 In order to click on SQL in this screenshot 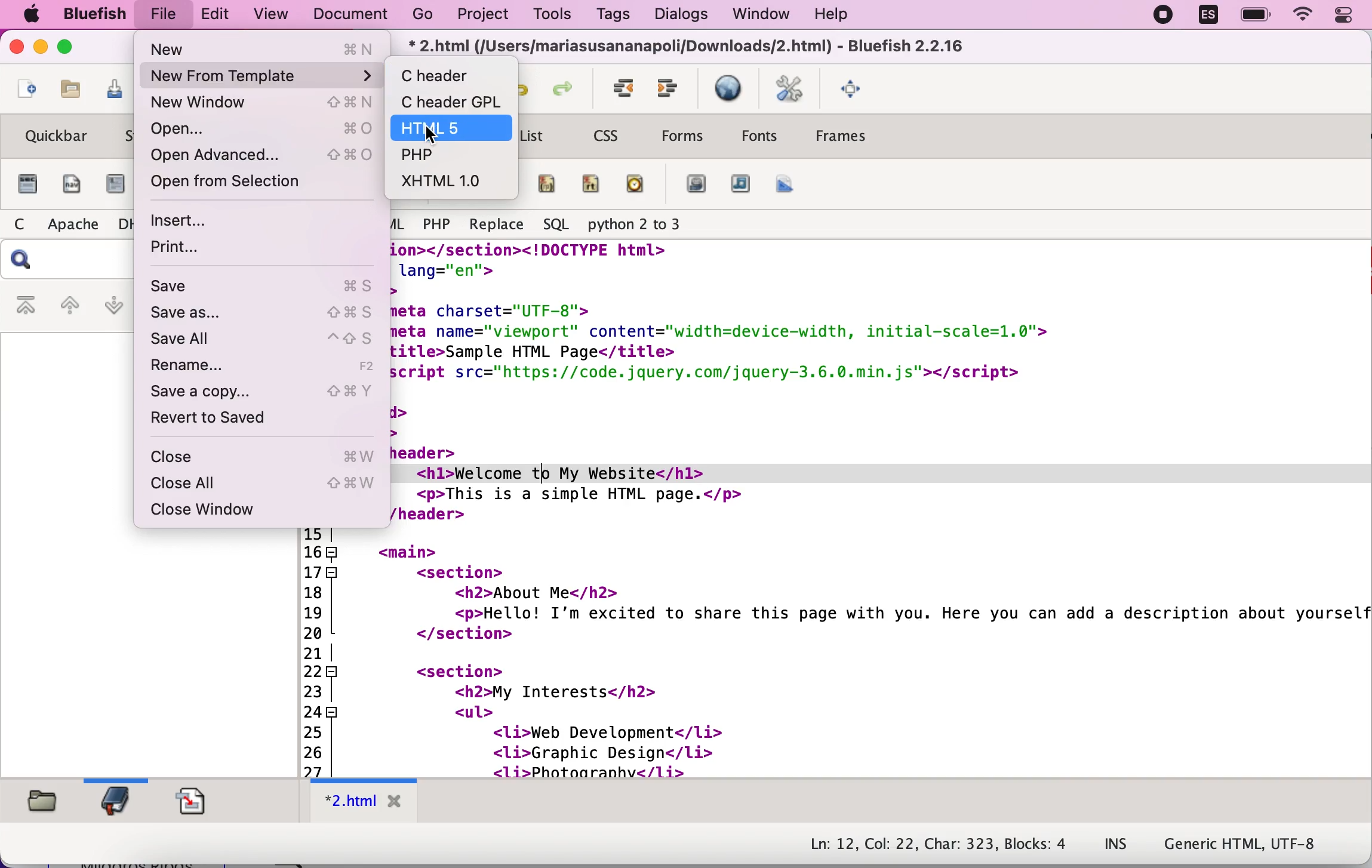, I will do `click(556, 224)`.